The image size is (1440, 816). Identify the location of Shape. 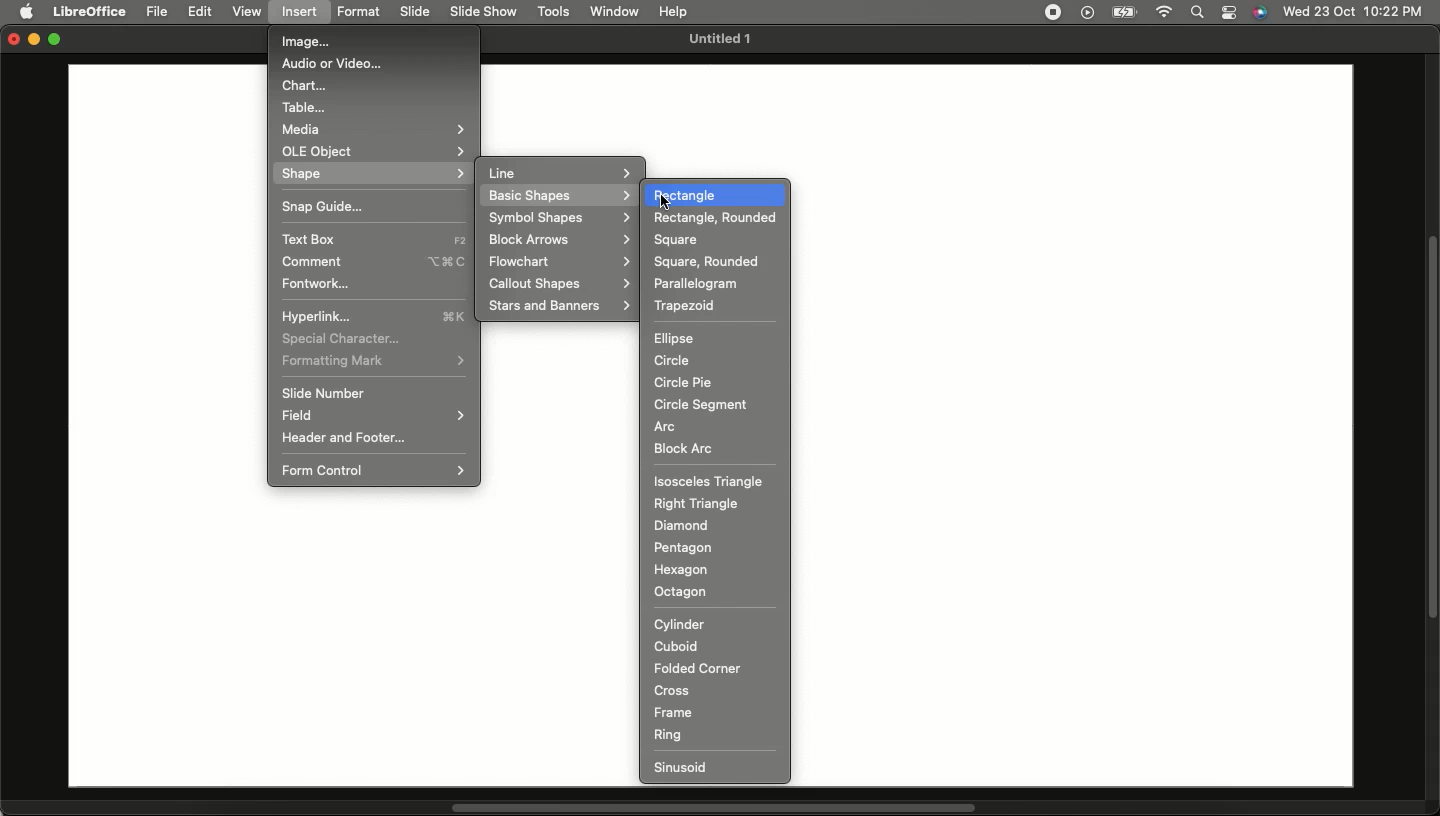
(374, 173).